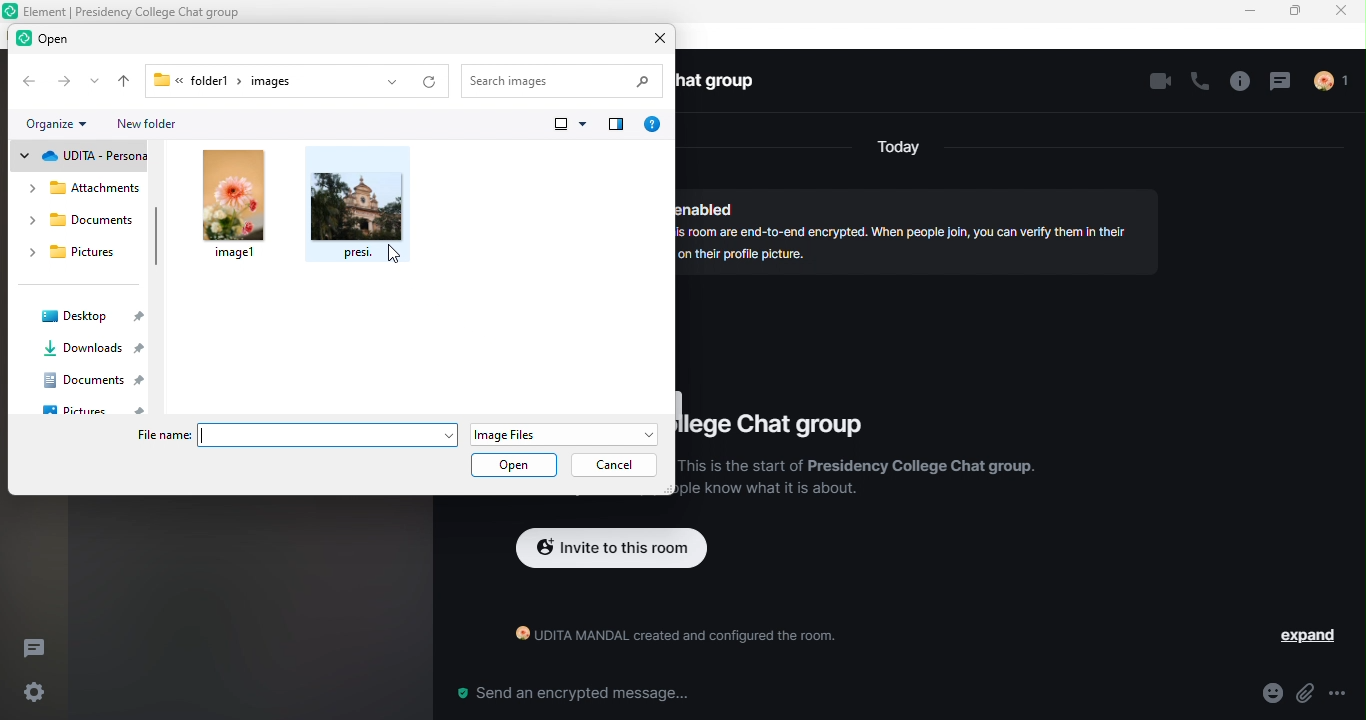 This screenshot has width=1366, height=720. Describe the element at coordinates (1295, 636) in the screenshot. I see `expand` at that location.